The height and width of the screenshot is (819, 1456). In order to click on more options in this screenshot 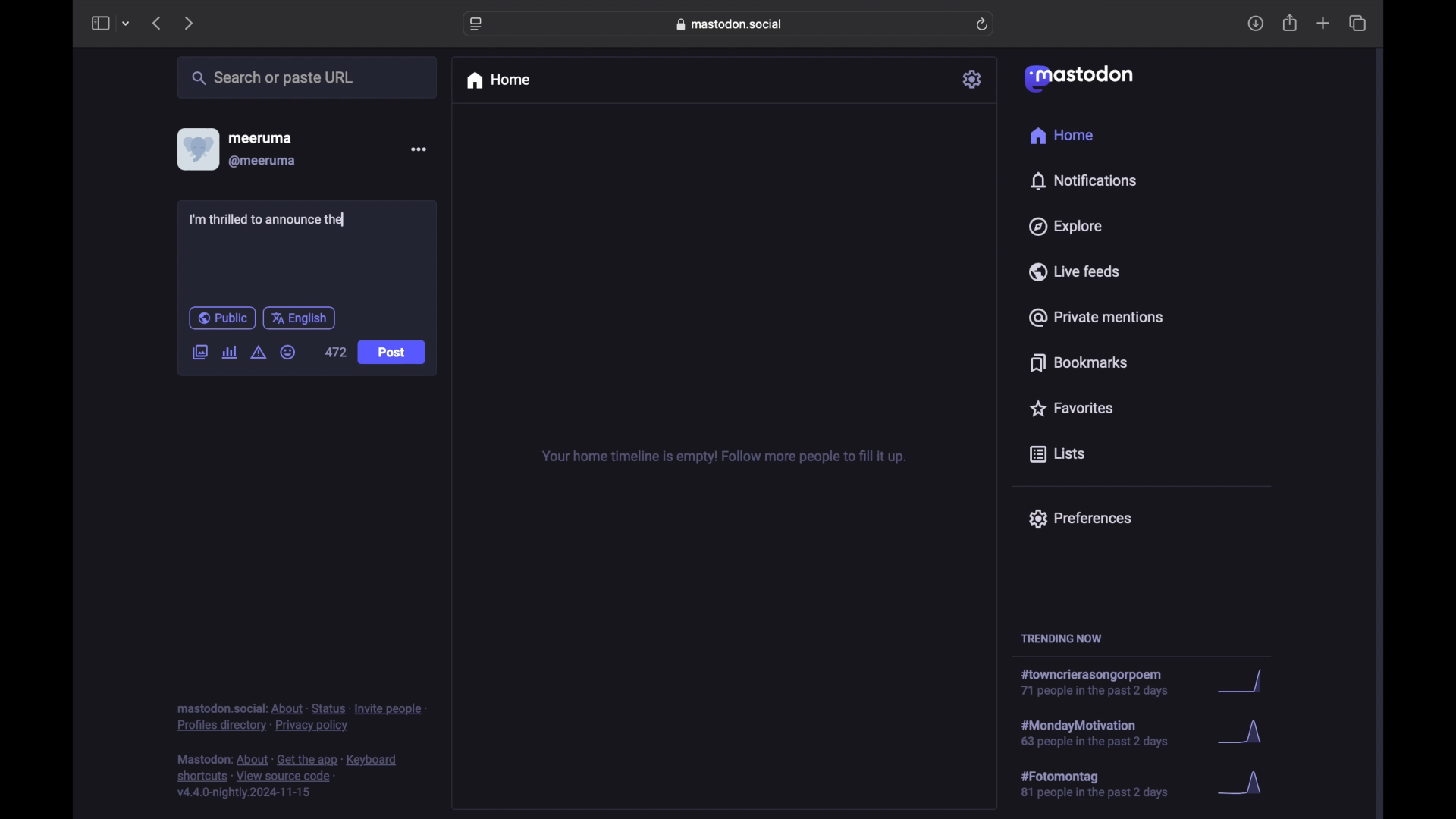, I will do `click(418, 149)`.